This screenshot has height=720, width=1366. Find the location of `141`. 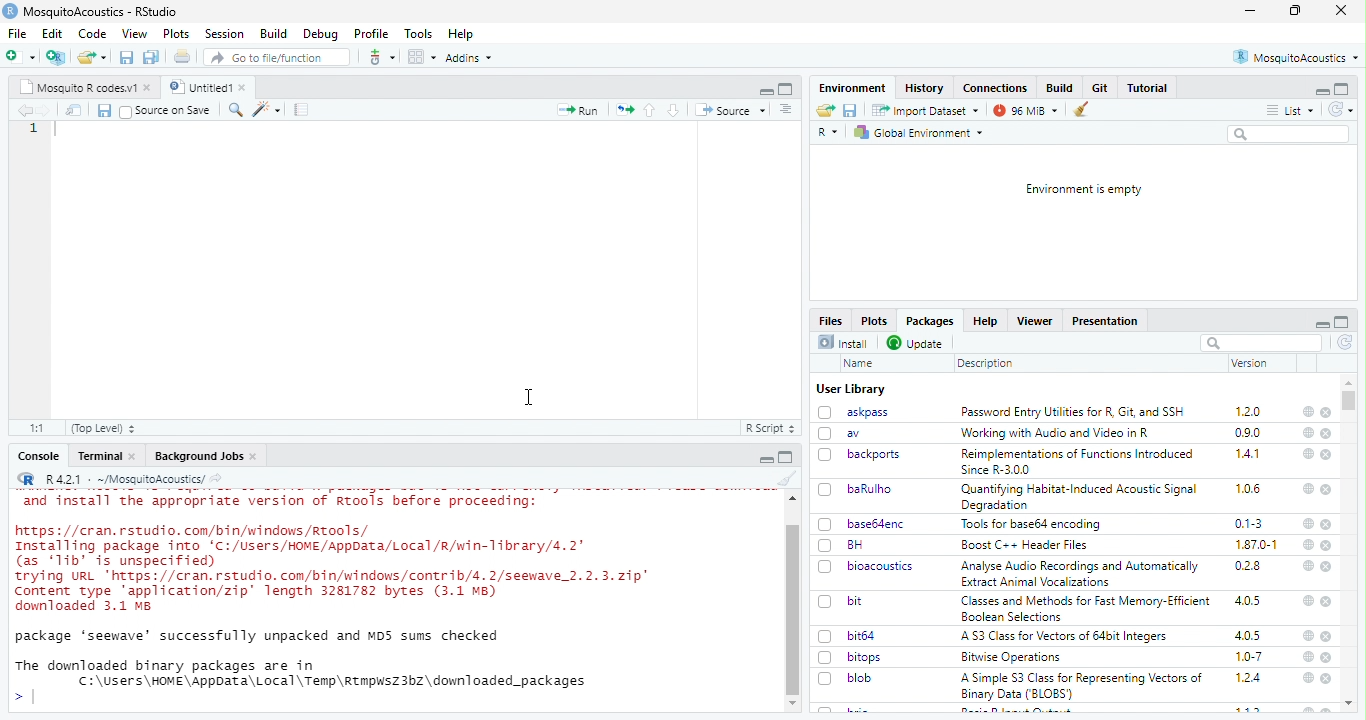

141 is located at coordinates (1249, 454).